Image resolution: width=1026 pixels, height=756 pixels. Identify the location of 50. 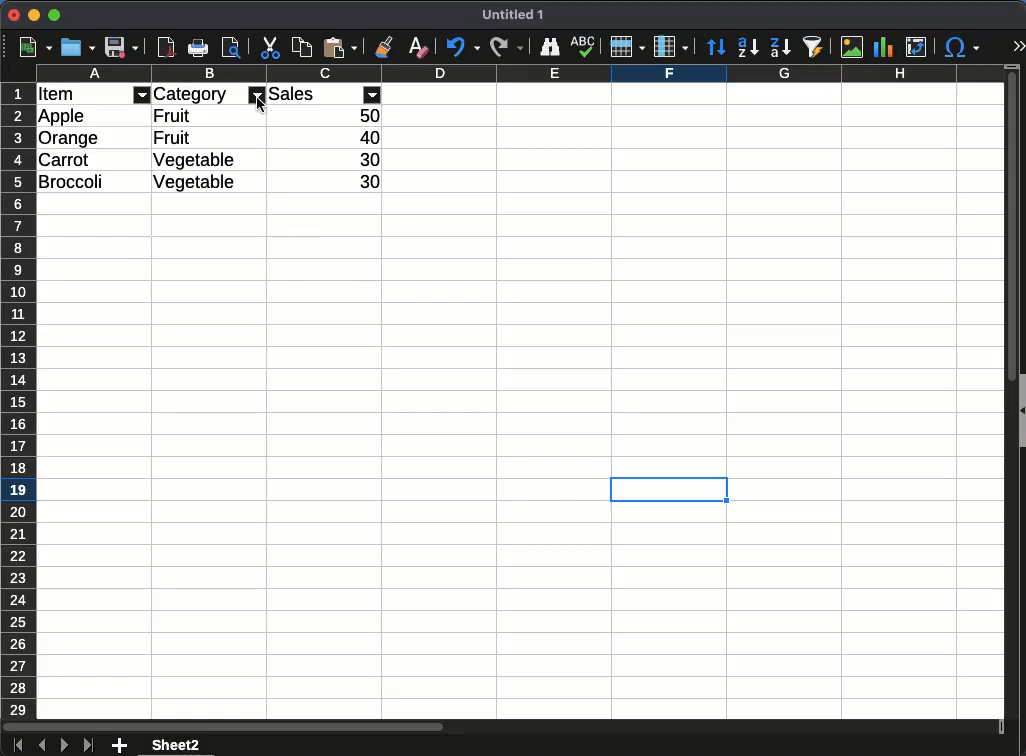
(367, 115).